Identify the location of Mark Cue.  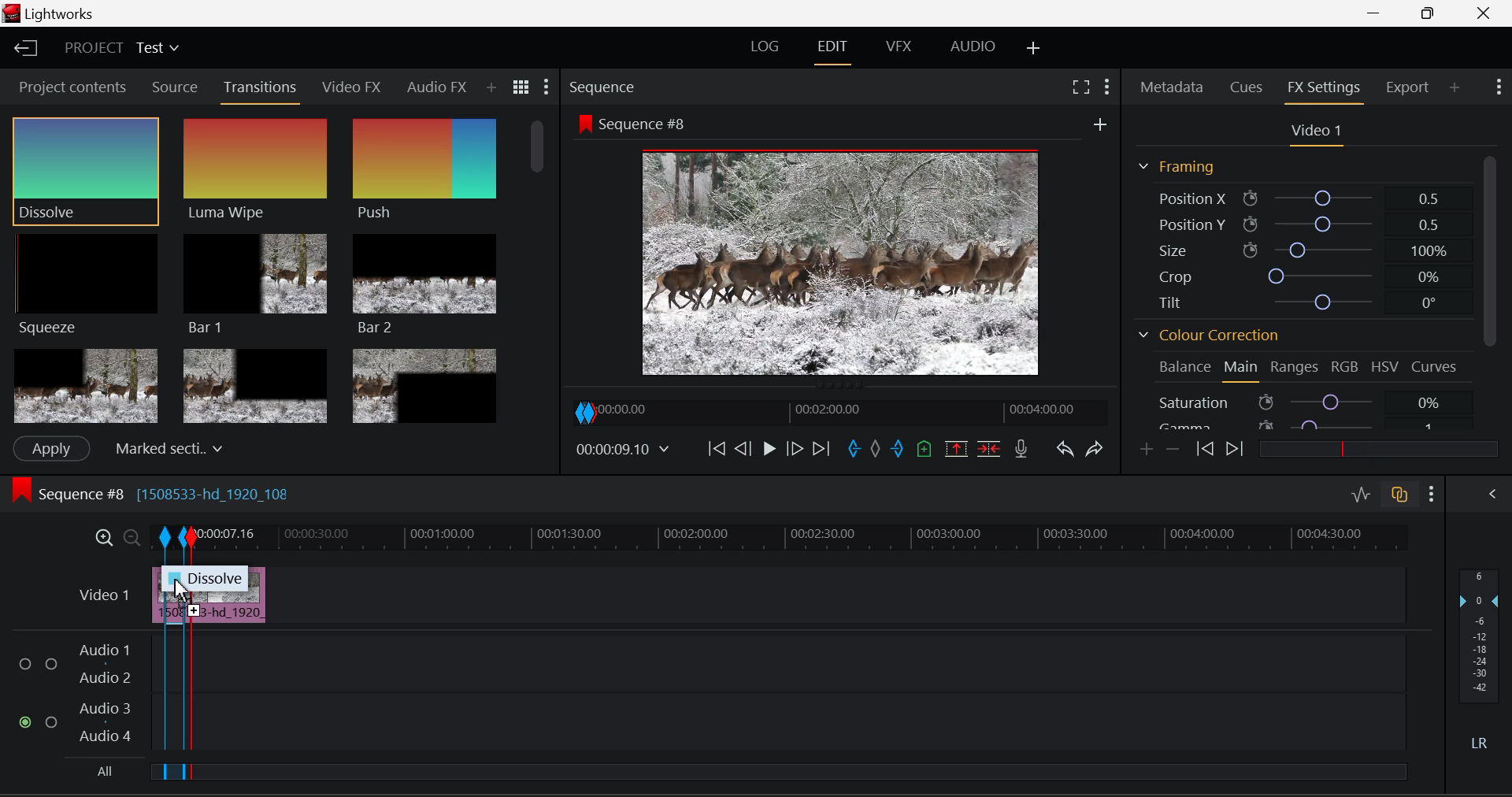
(923, 450).